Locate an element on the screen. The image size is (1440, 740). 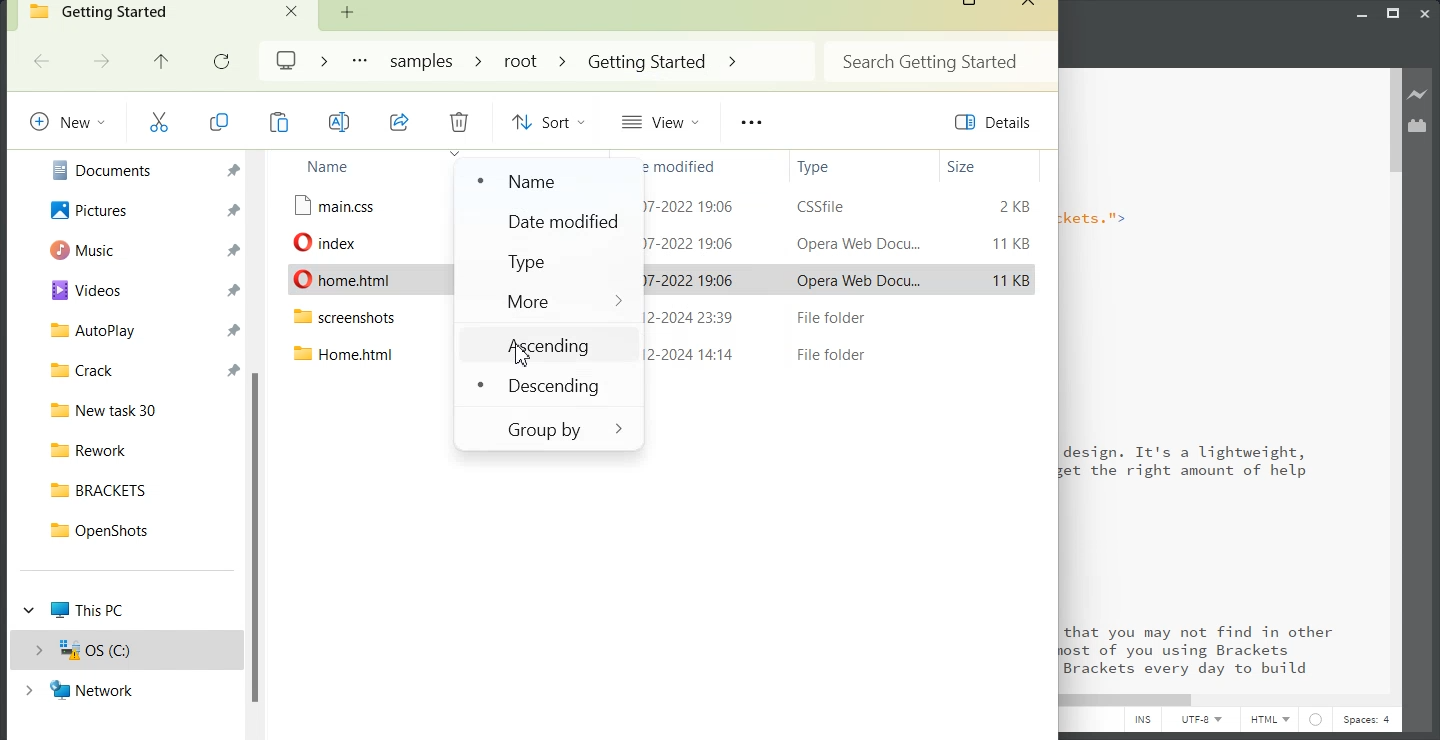
Text 2 is located at coordinates (1214, 380).